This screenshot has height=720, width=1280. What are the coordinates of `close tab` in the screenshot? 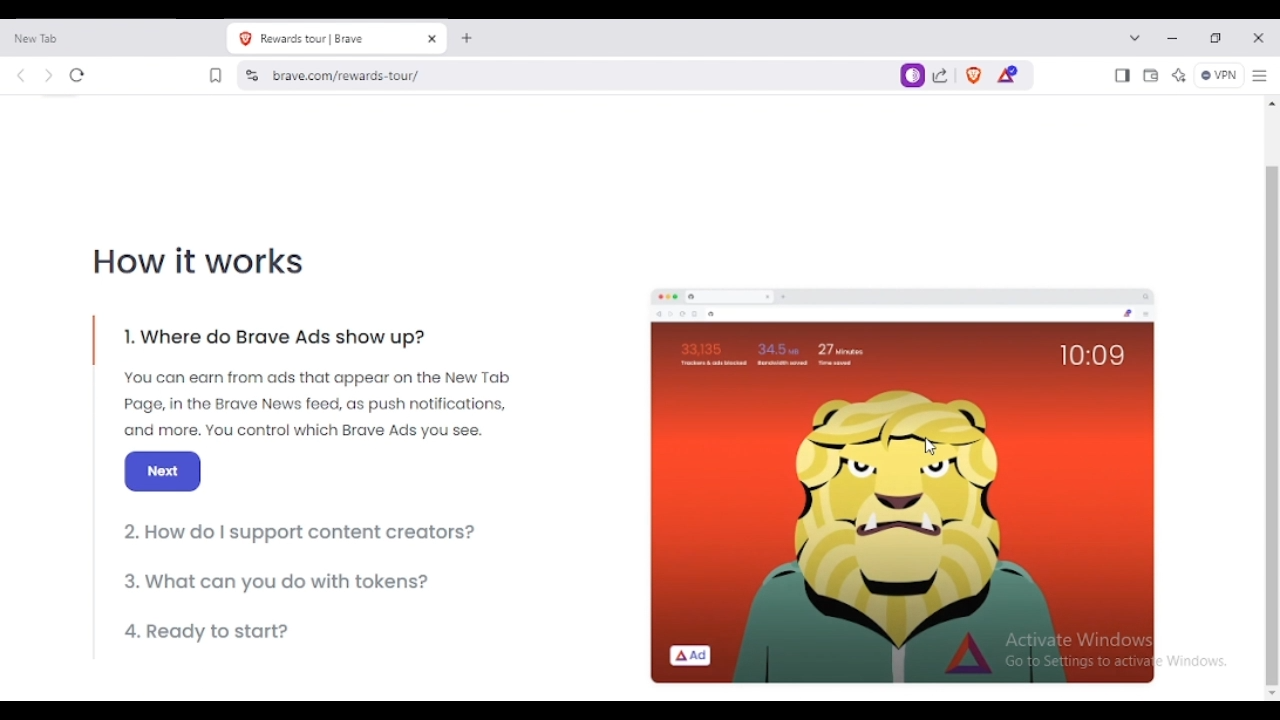 It's located at (434, 38).